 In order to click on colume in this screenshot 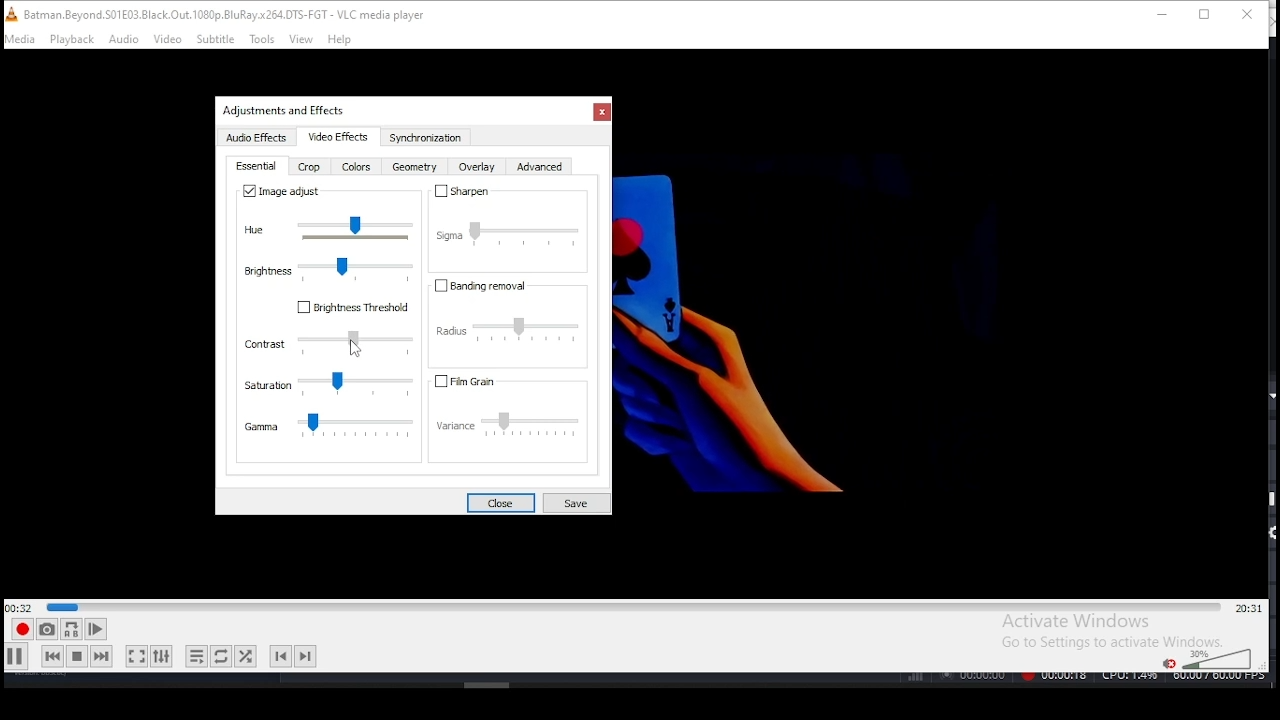, I will do `click(1216, 658)`.